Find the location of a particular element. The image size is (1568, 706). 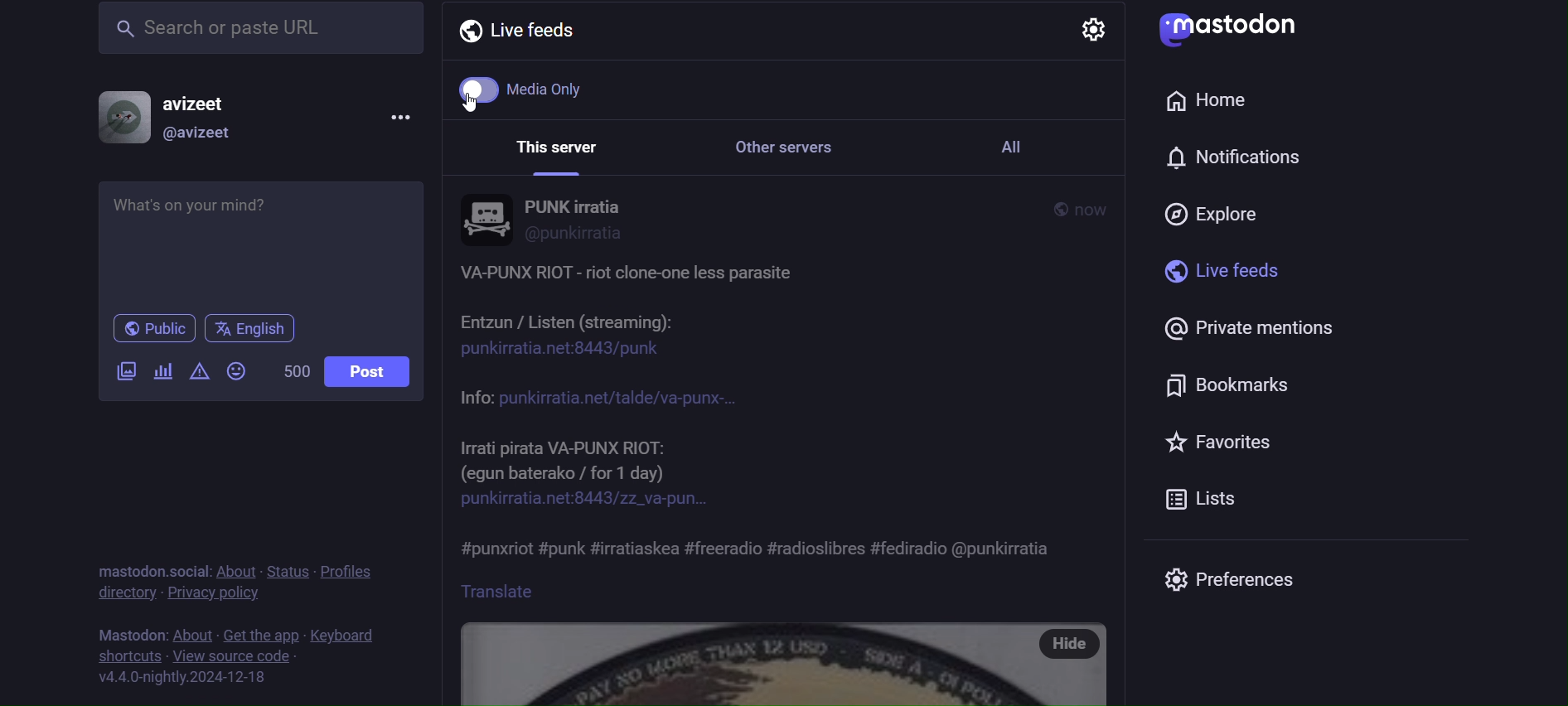

public is located at coordinates (1049, 209).